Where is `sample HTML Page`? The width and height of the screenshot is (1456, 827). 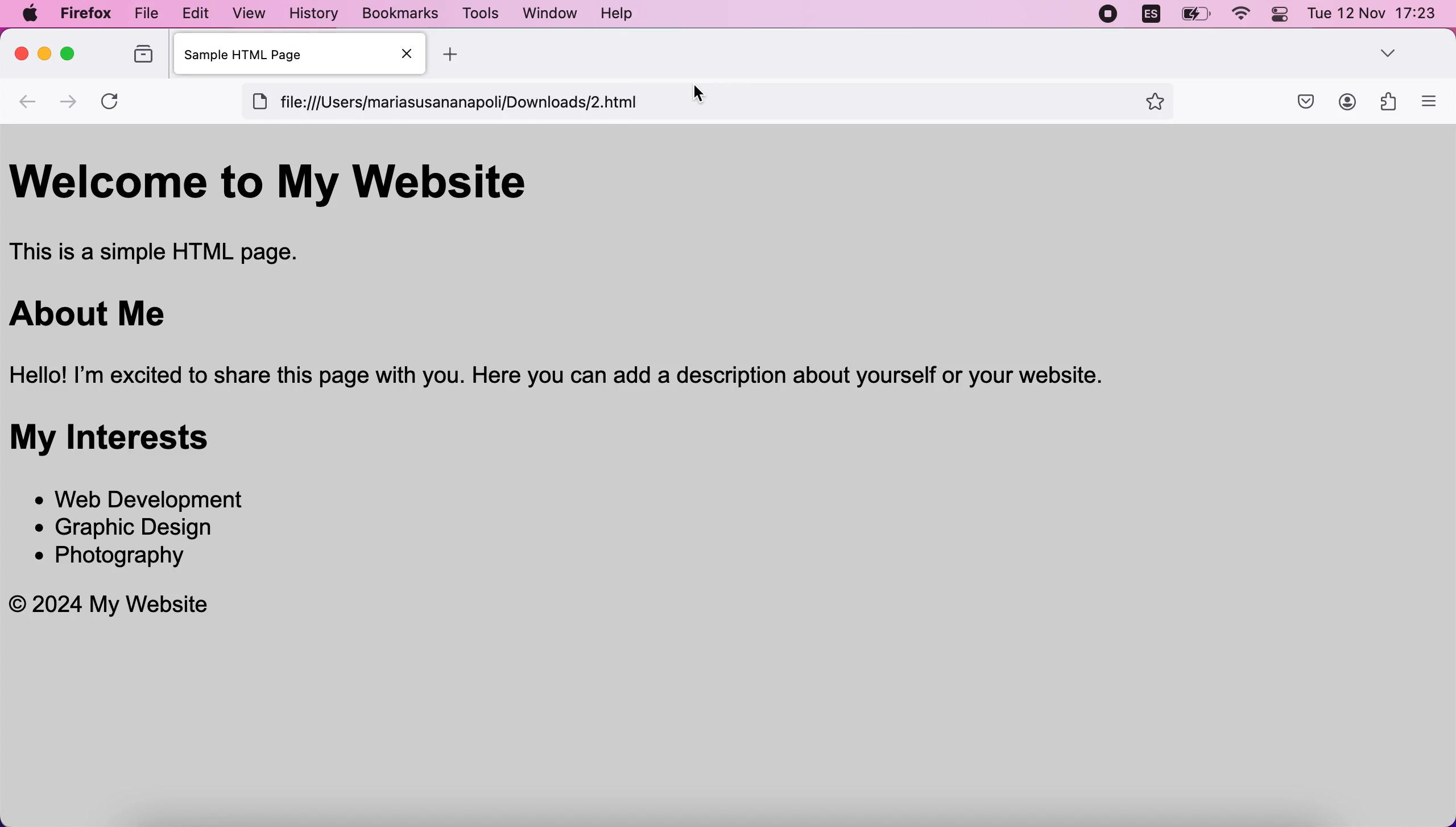
sample HTML Page is located at coordinates (301, 55).